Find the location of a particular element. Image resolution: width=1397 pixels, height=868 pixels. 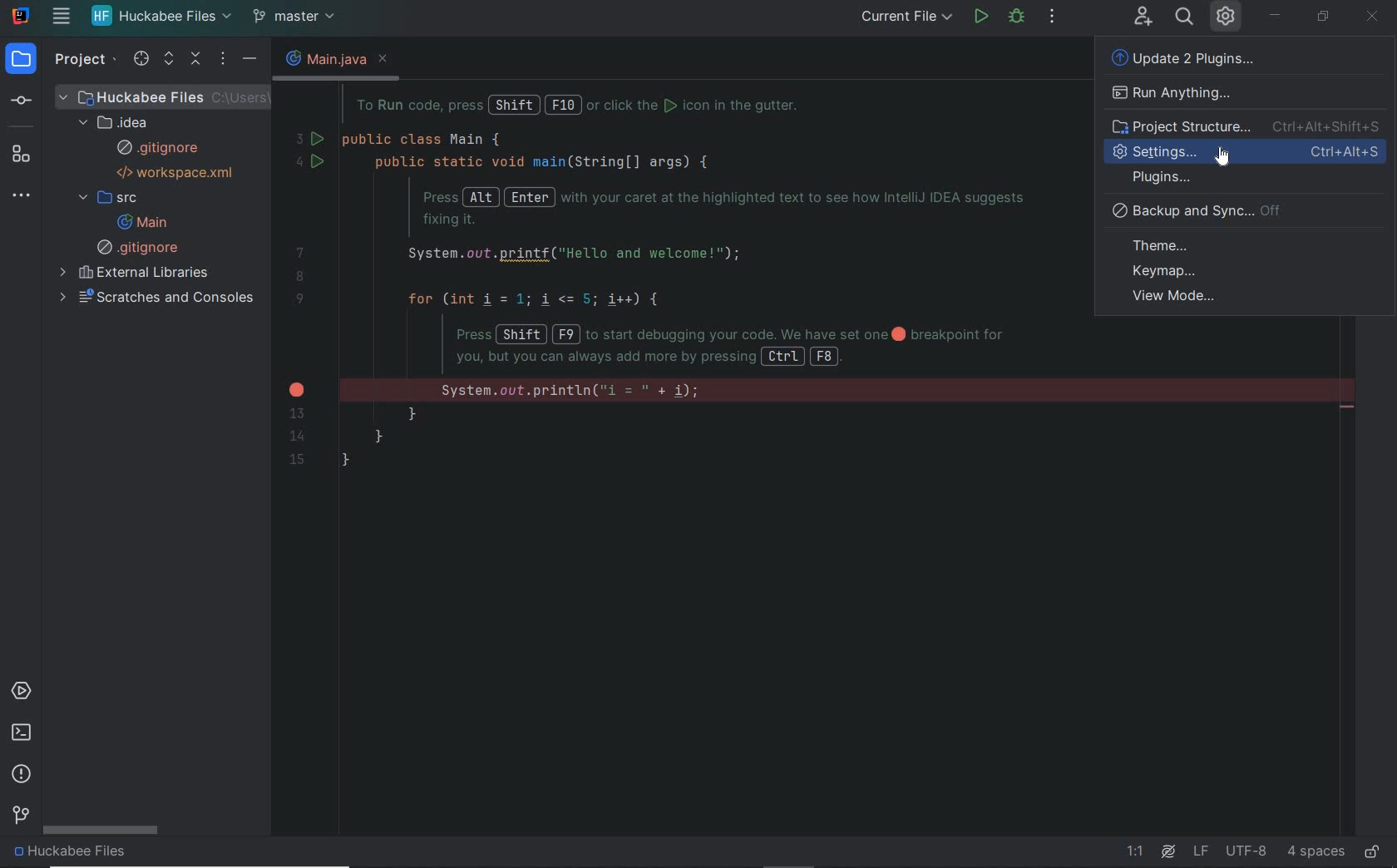

hide is located at coordinates (250, 60).